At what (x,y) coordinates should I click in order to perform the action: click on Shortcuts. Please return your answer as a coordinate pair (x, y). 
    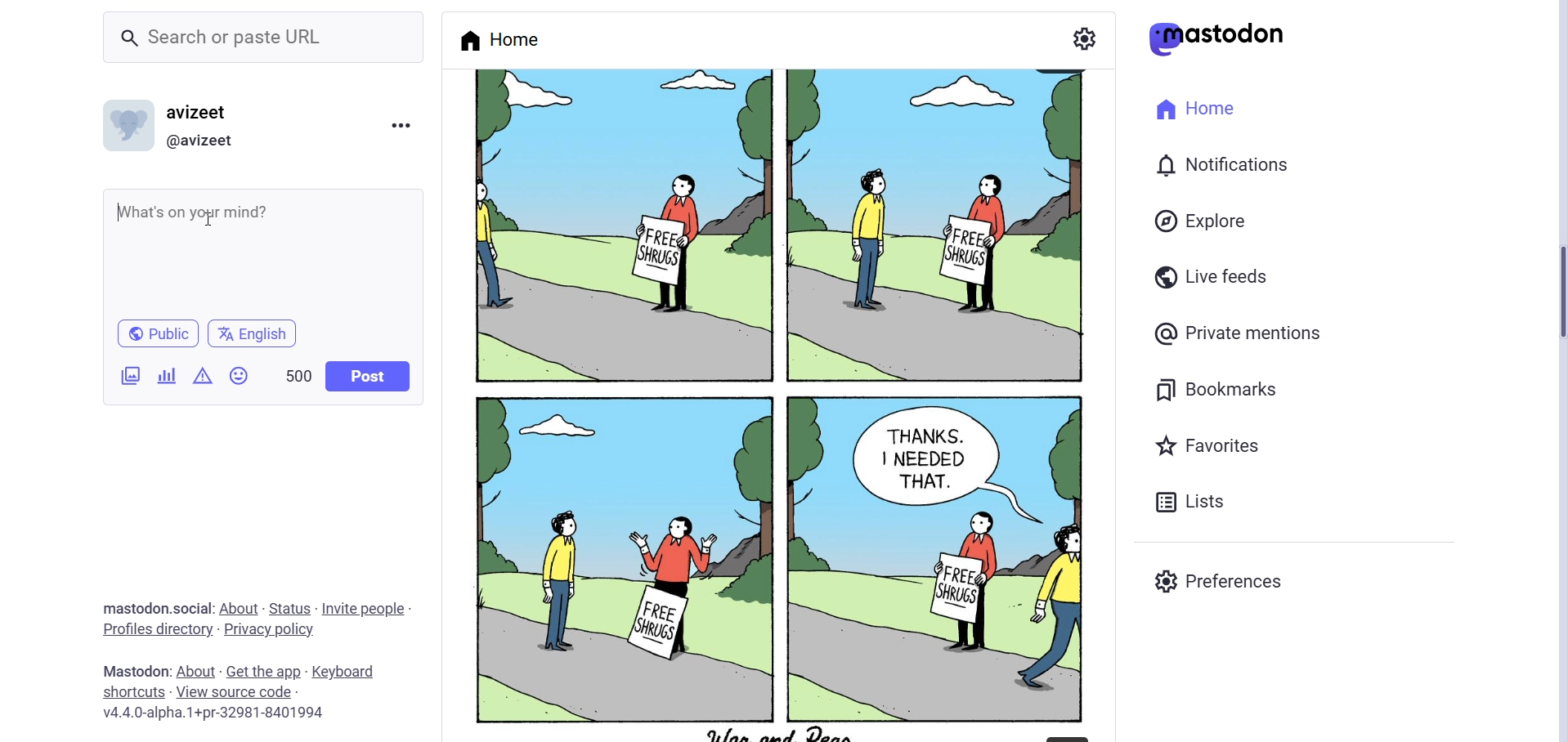
    Looking at the image, I should click on (133, 692).